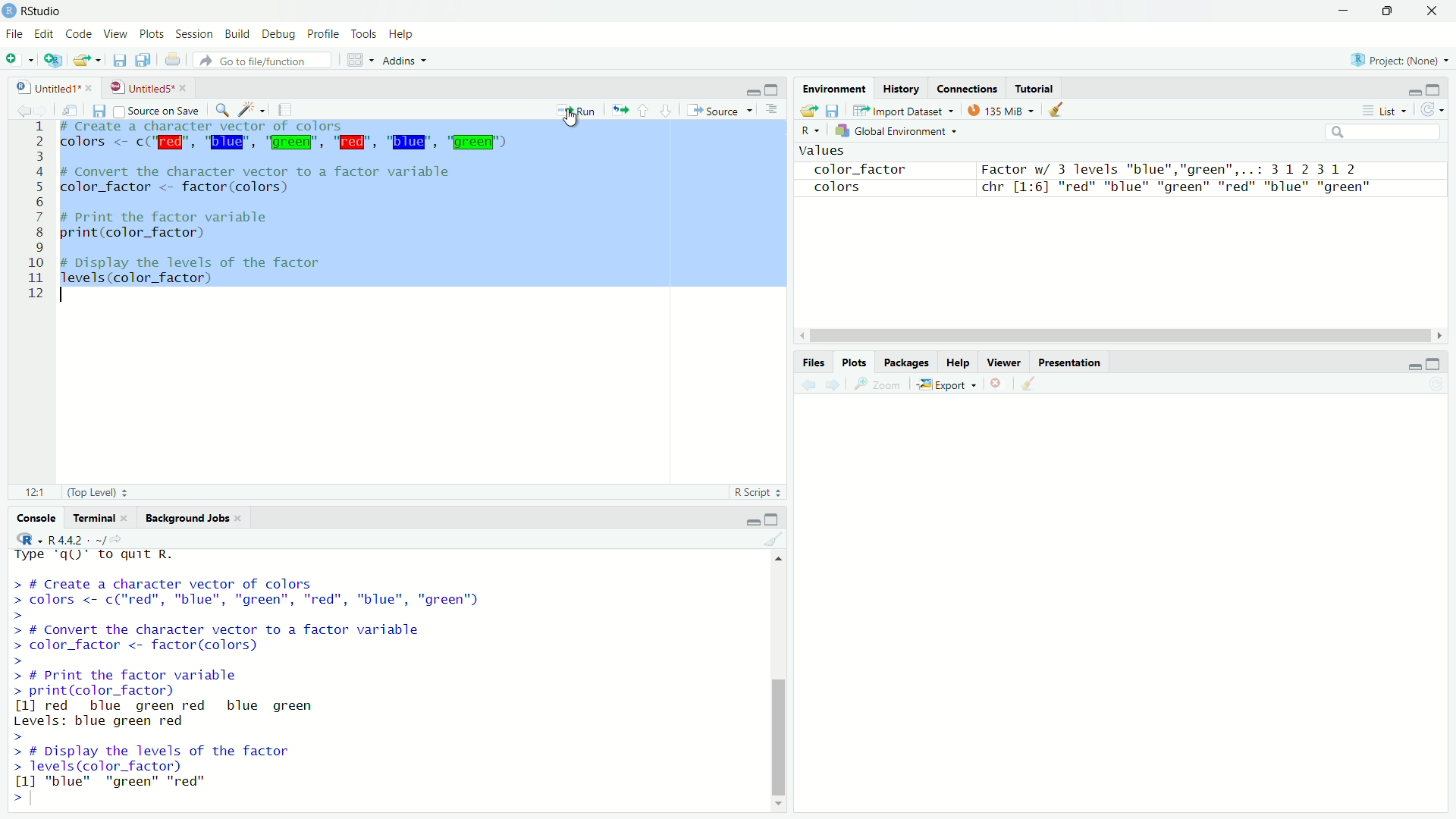 The height and width of the screenshot is (819, 1456). Describe the element at coordinates (322, 34) in the screenshot. I see `profile` at that location.